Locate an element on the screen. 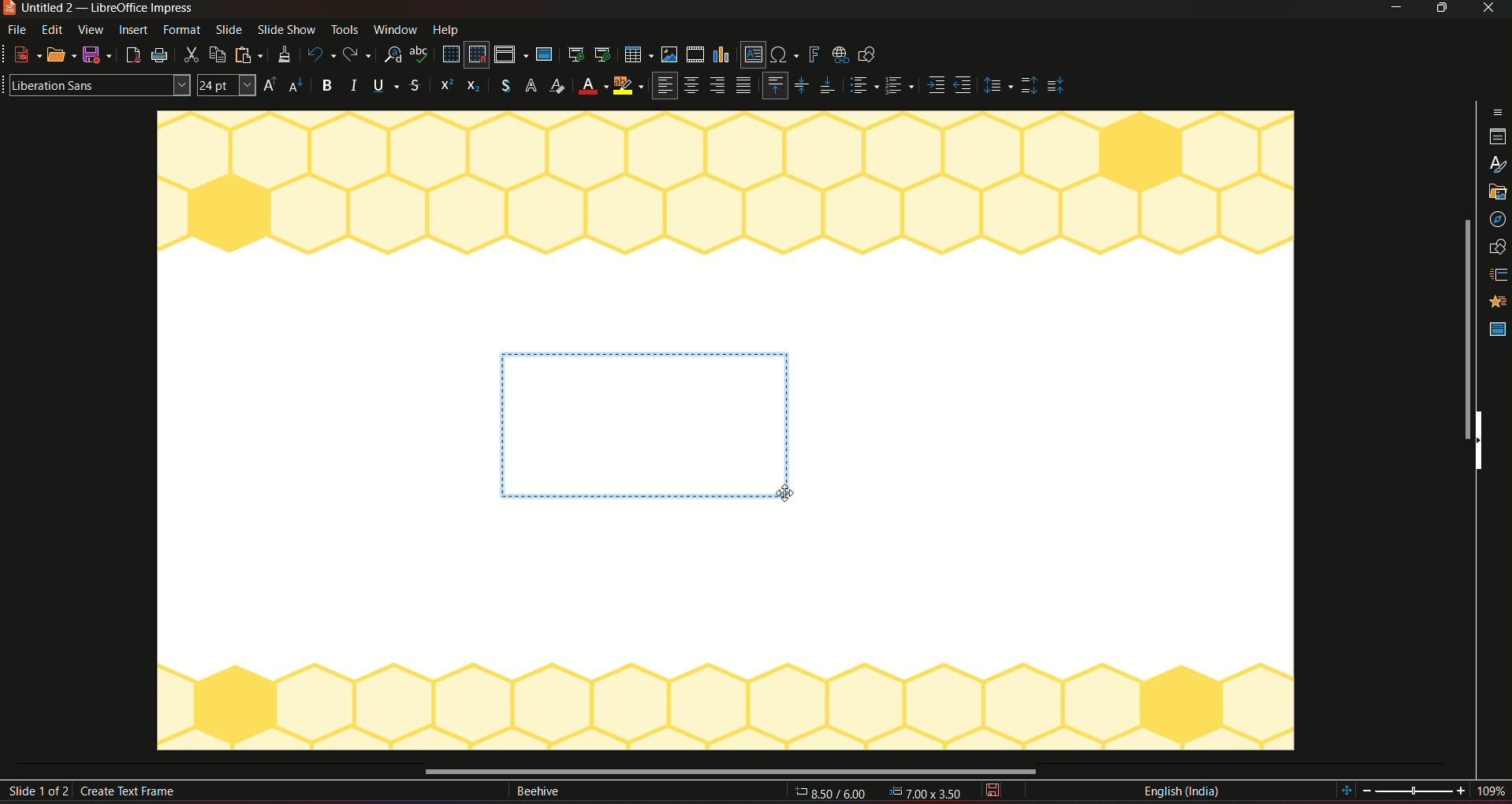 This screenshot has height=804, width=1512. slide is located at coordinates (228, 31).